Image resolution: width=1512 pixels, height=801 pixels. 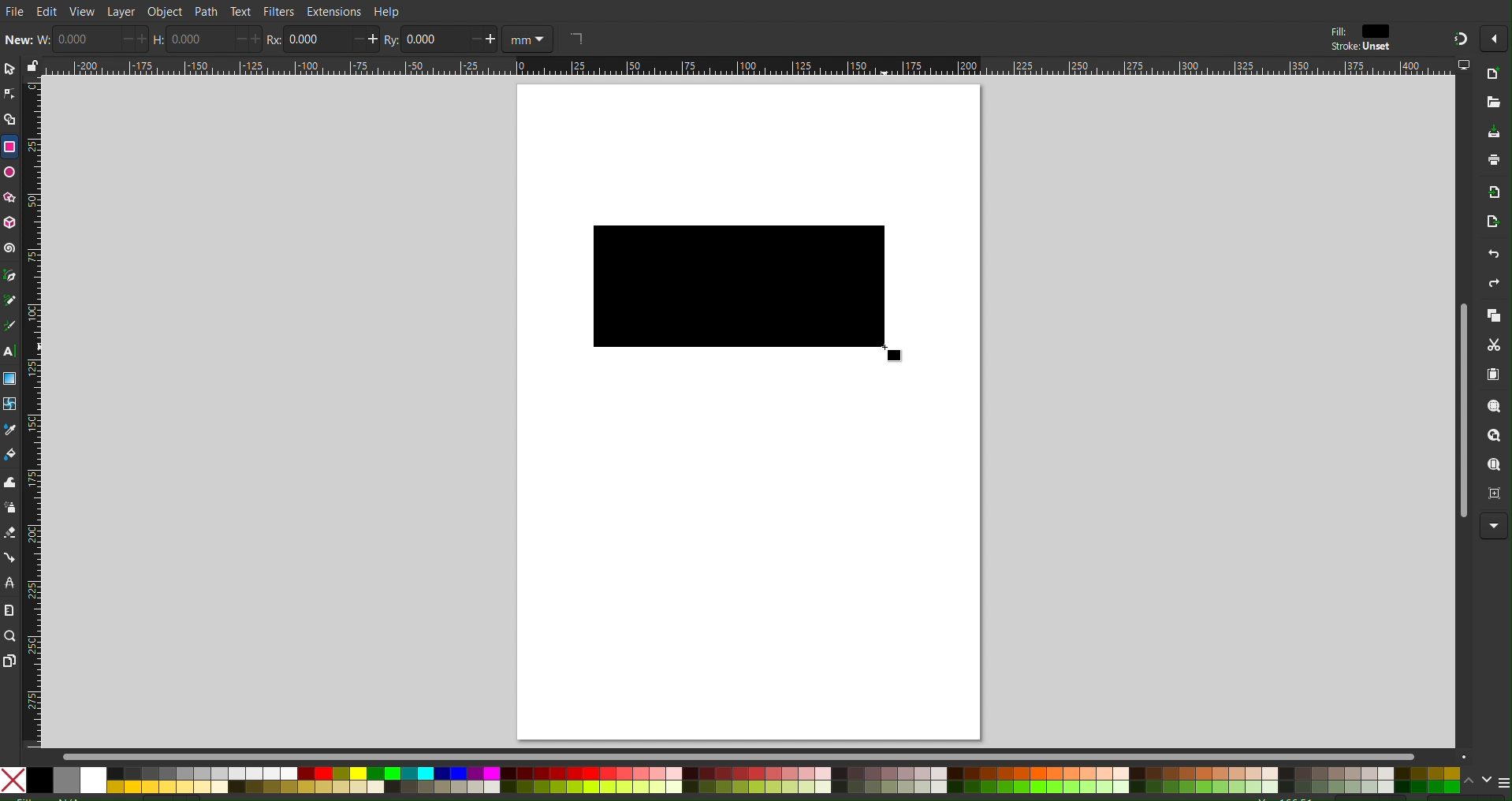 I want to click on Node Tool, so click(x=9, y=91).